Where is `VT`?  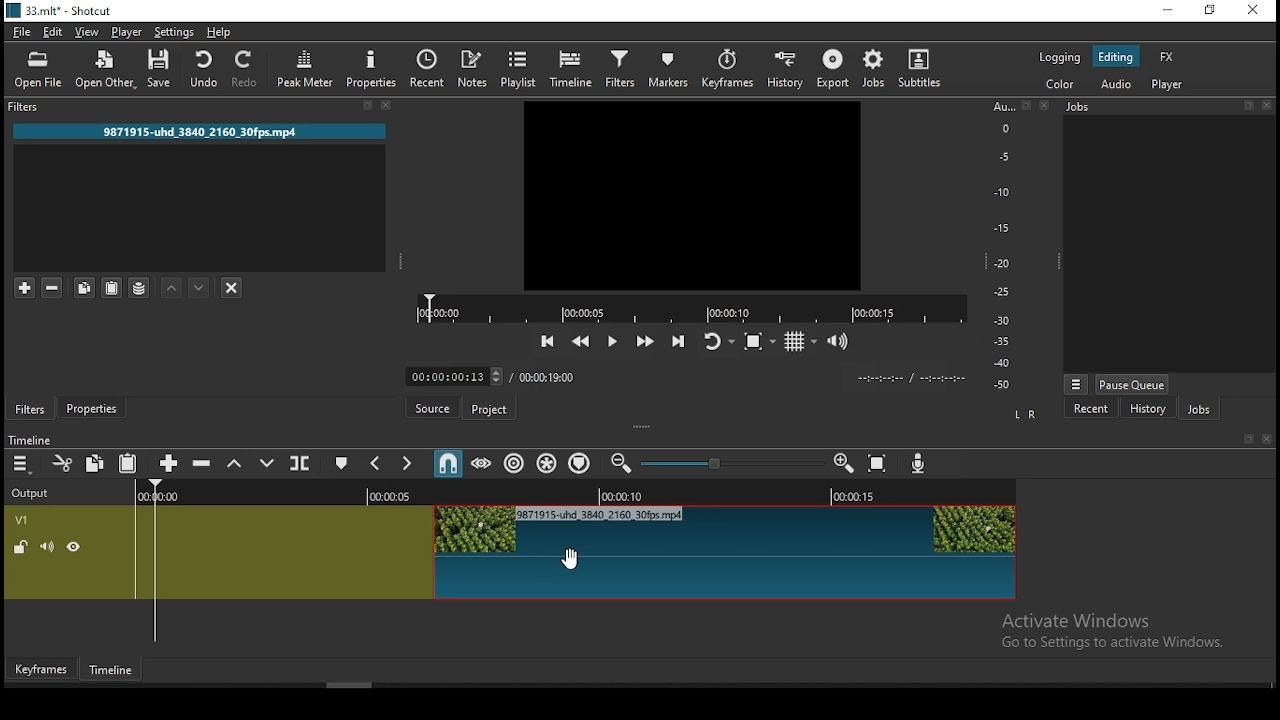 VT is located at coordinates (39, 517).